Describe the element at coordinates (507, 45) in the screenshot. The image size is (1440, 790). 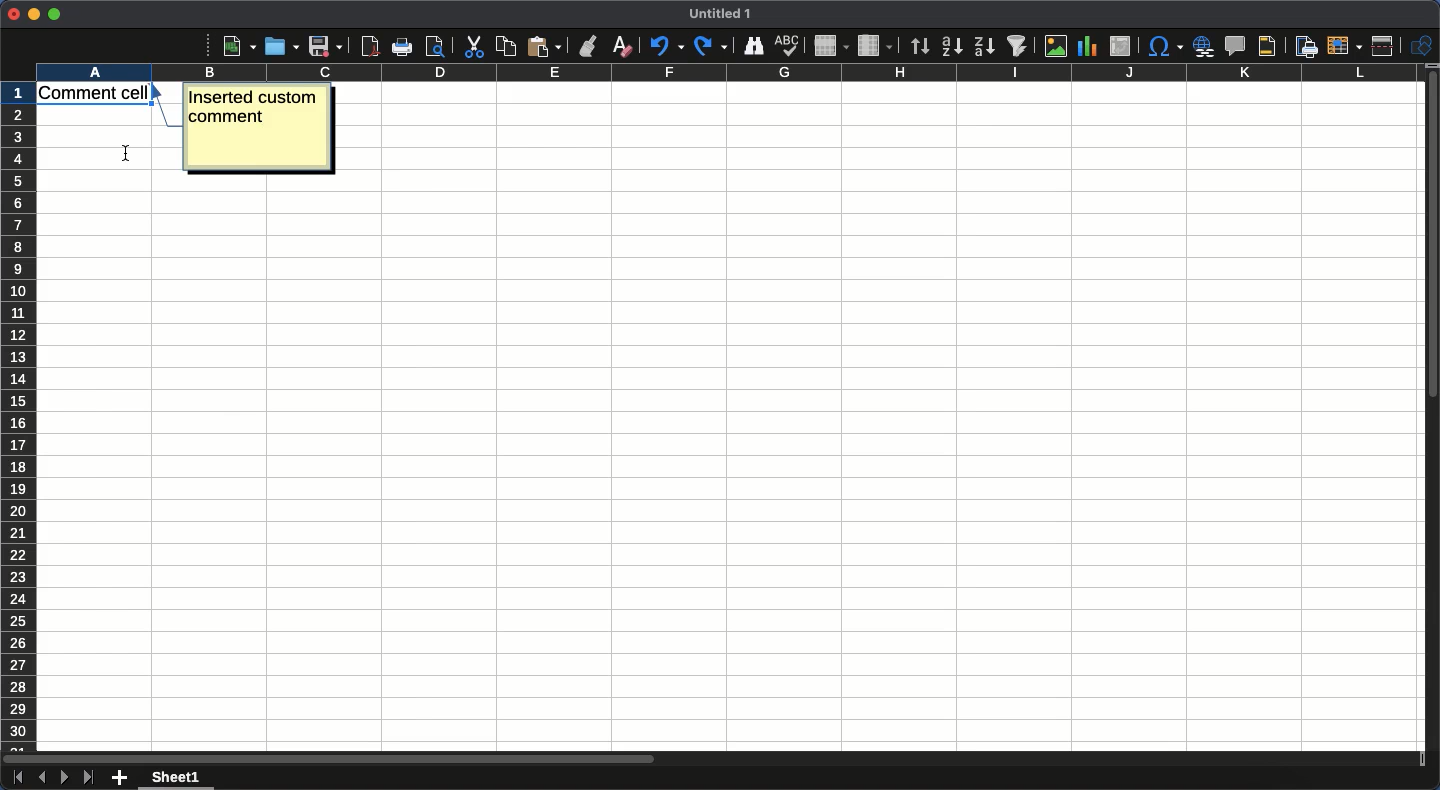
I see `Copy` at that location.